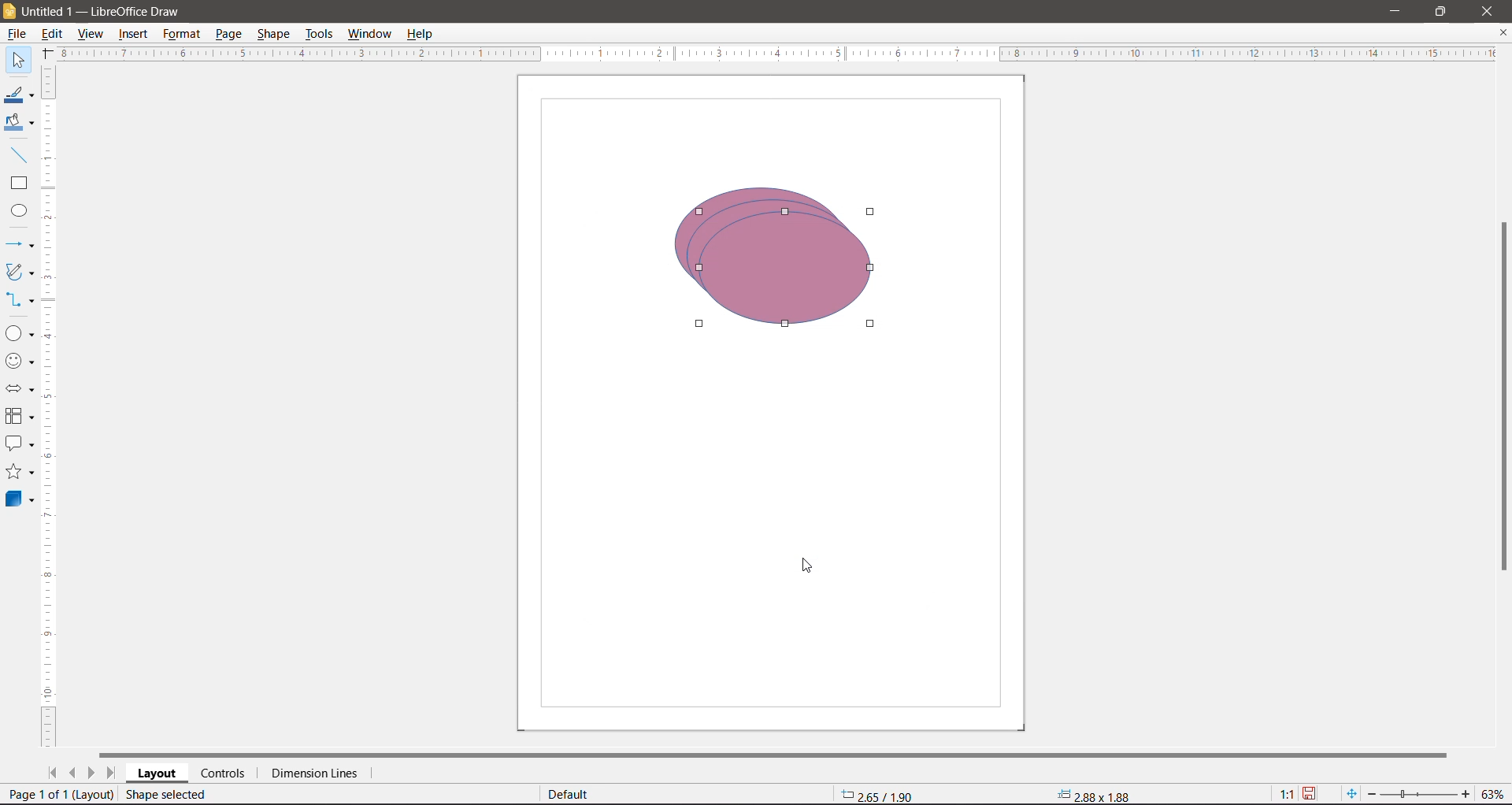 This screenshot has height=805, width=1512. Describe the element at coordinates (19, 184) in the screenshot. I see `Rectangle` at that location.